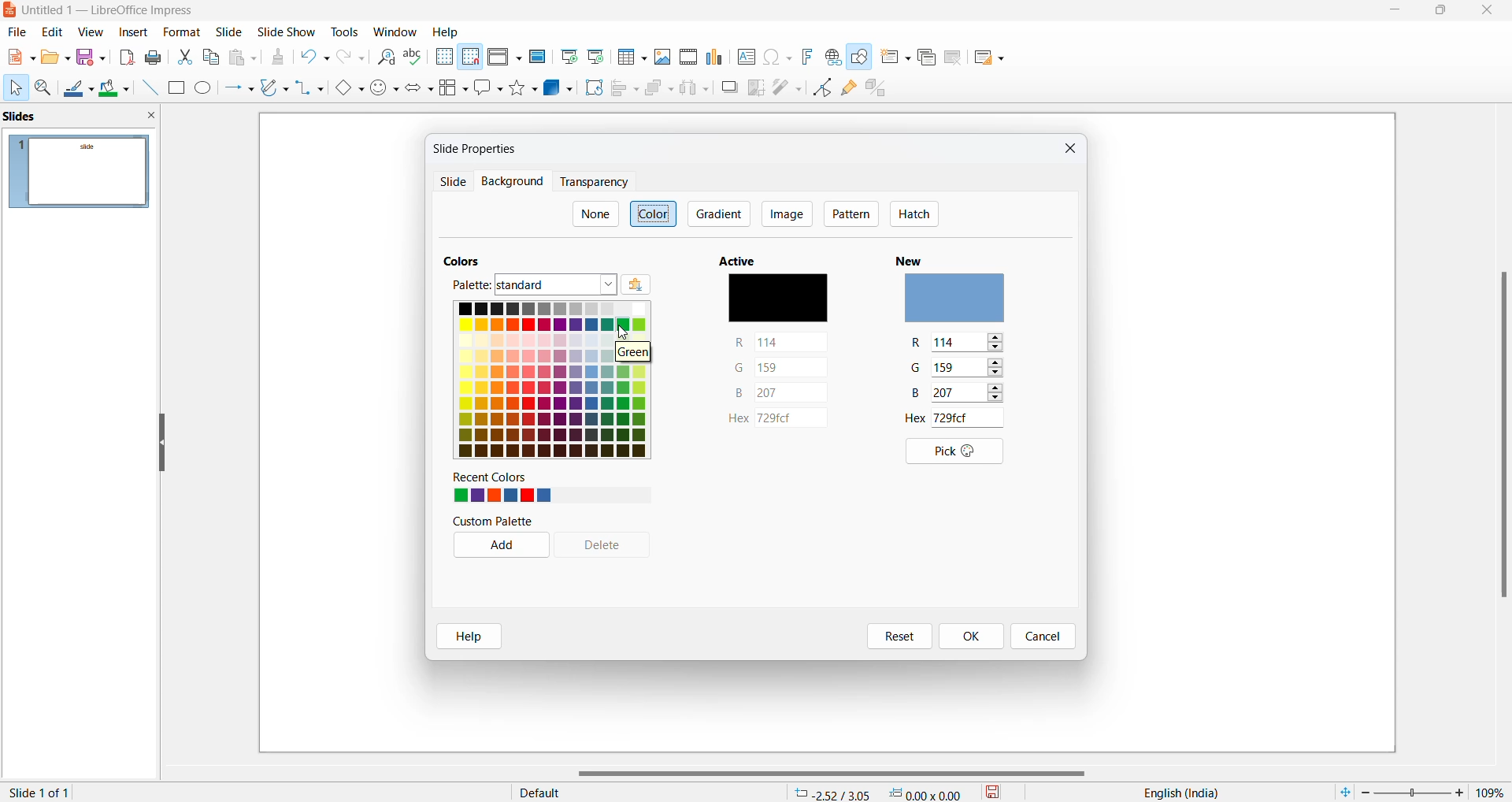 The image size is (1512, 802). I want to click on tools, so click(346, 31).